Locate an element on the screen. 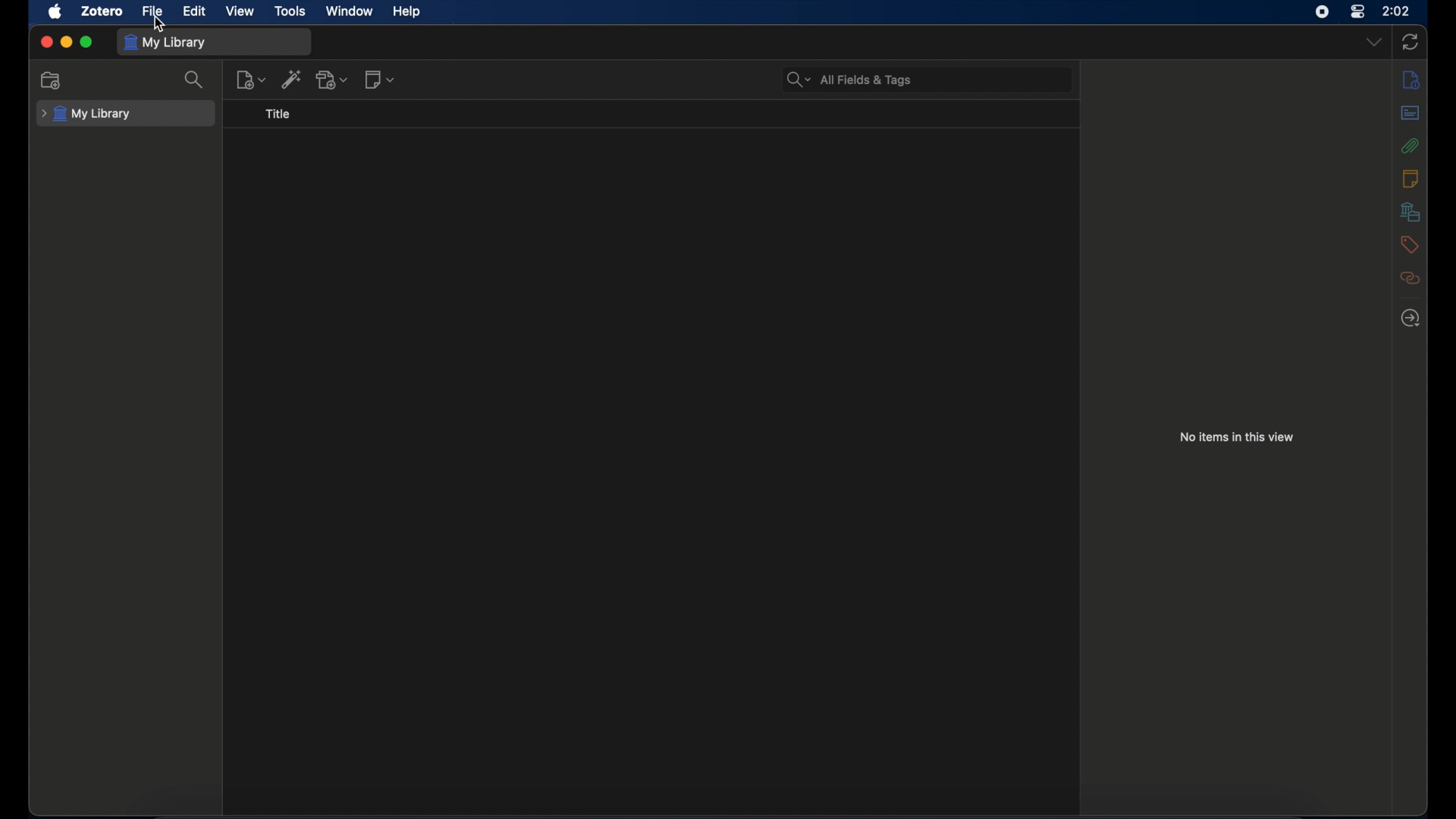  zotero is located at coordinates (100, 12).